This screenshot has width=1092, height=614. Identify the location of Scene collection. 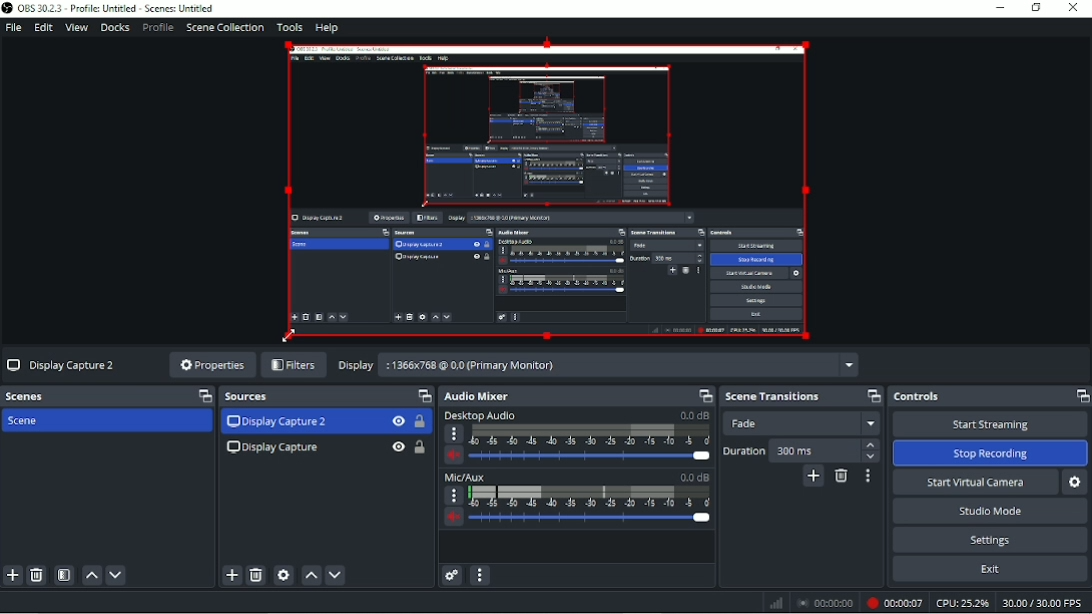
(225, 28).